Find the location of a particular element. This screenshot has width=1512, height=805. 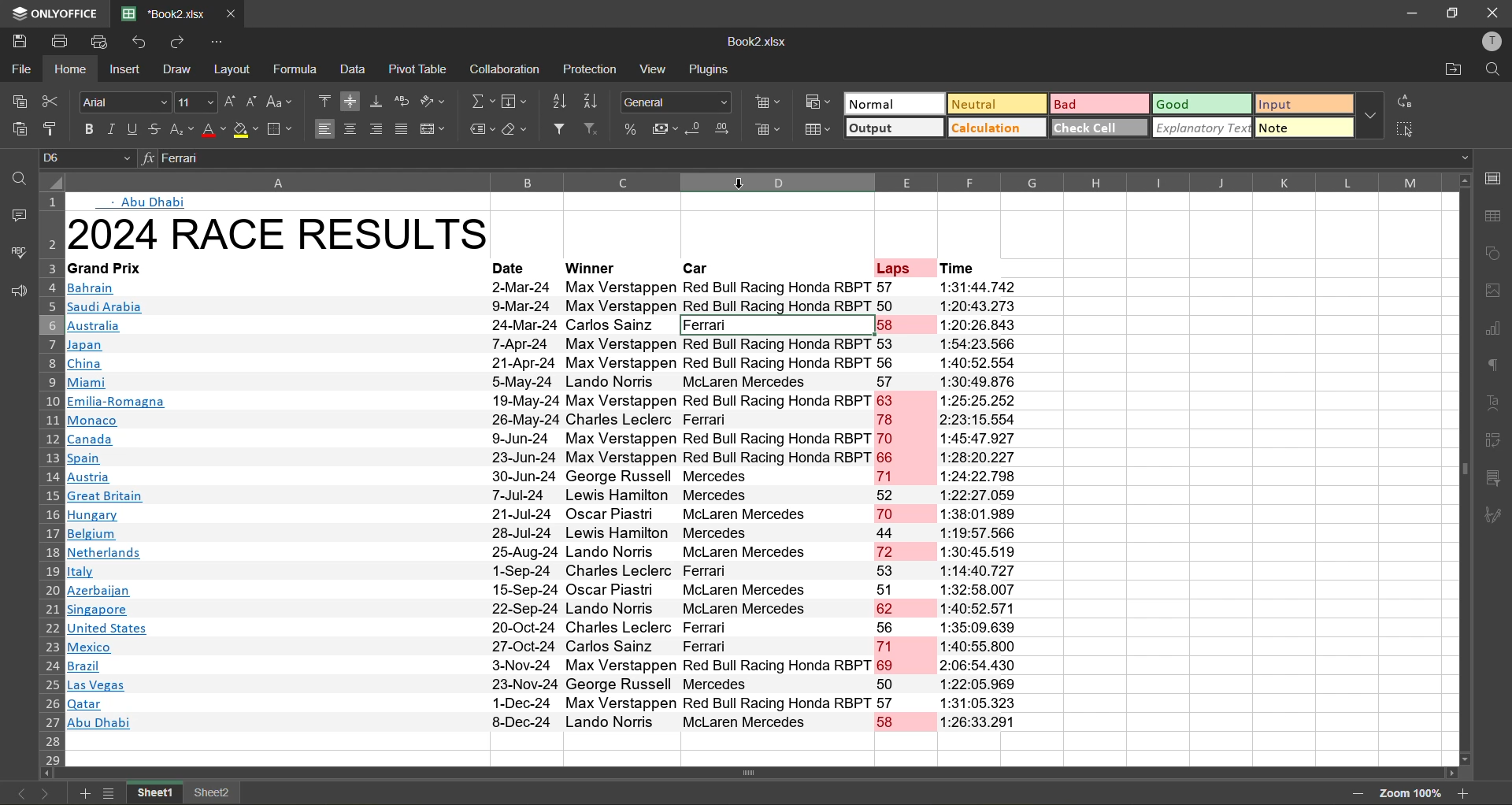

Ferrari is located at coordinates (818, 158).